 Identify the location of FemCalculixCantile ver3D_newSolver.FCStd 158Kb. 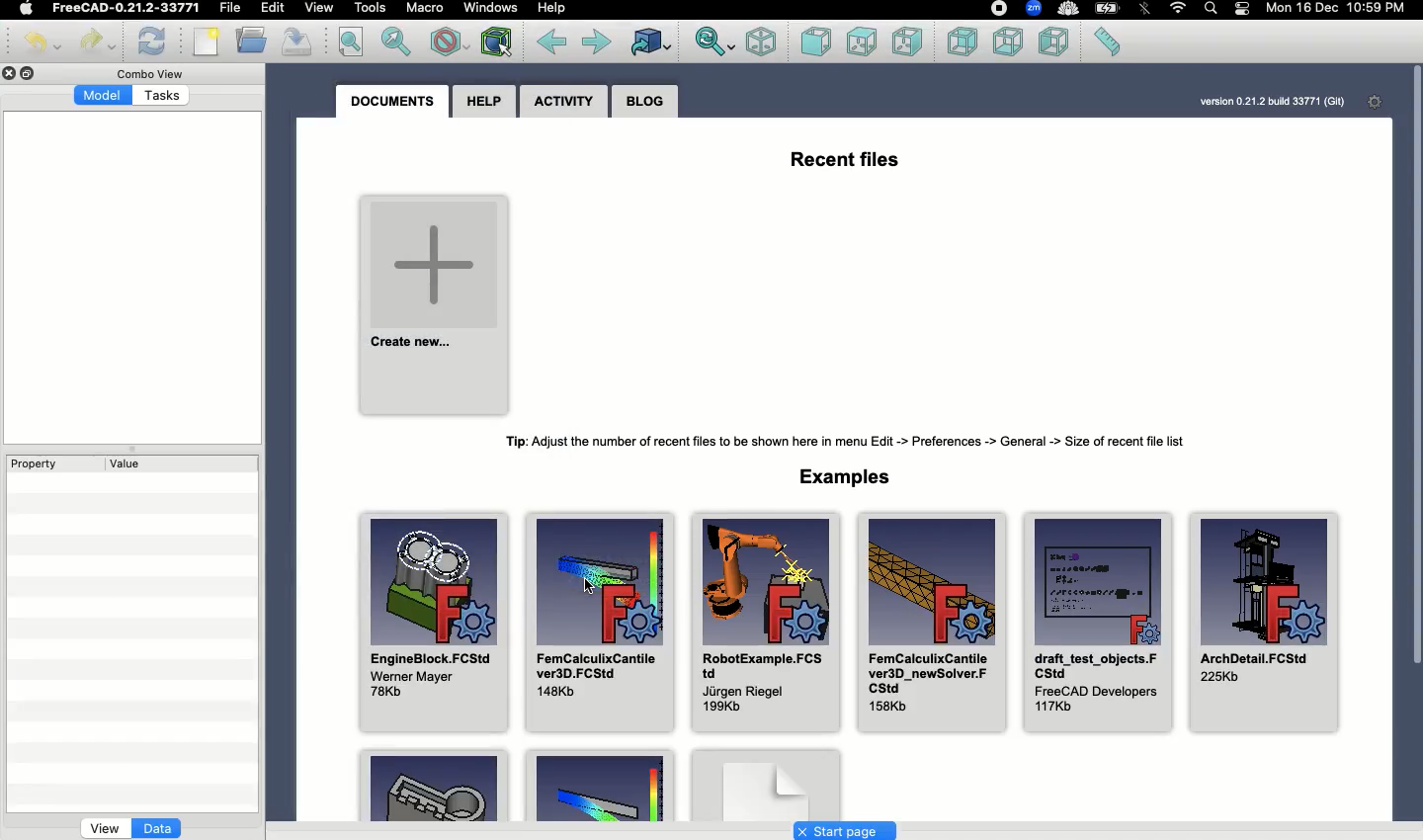
(931, 621).